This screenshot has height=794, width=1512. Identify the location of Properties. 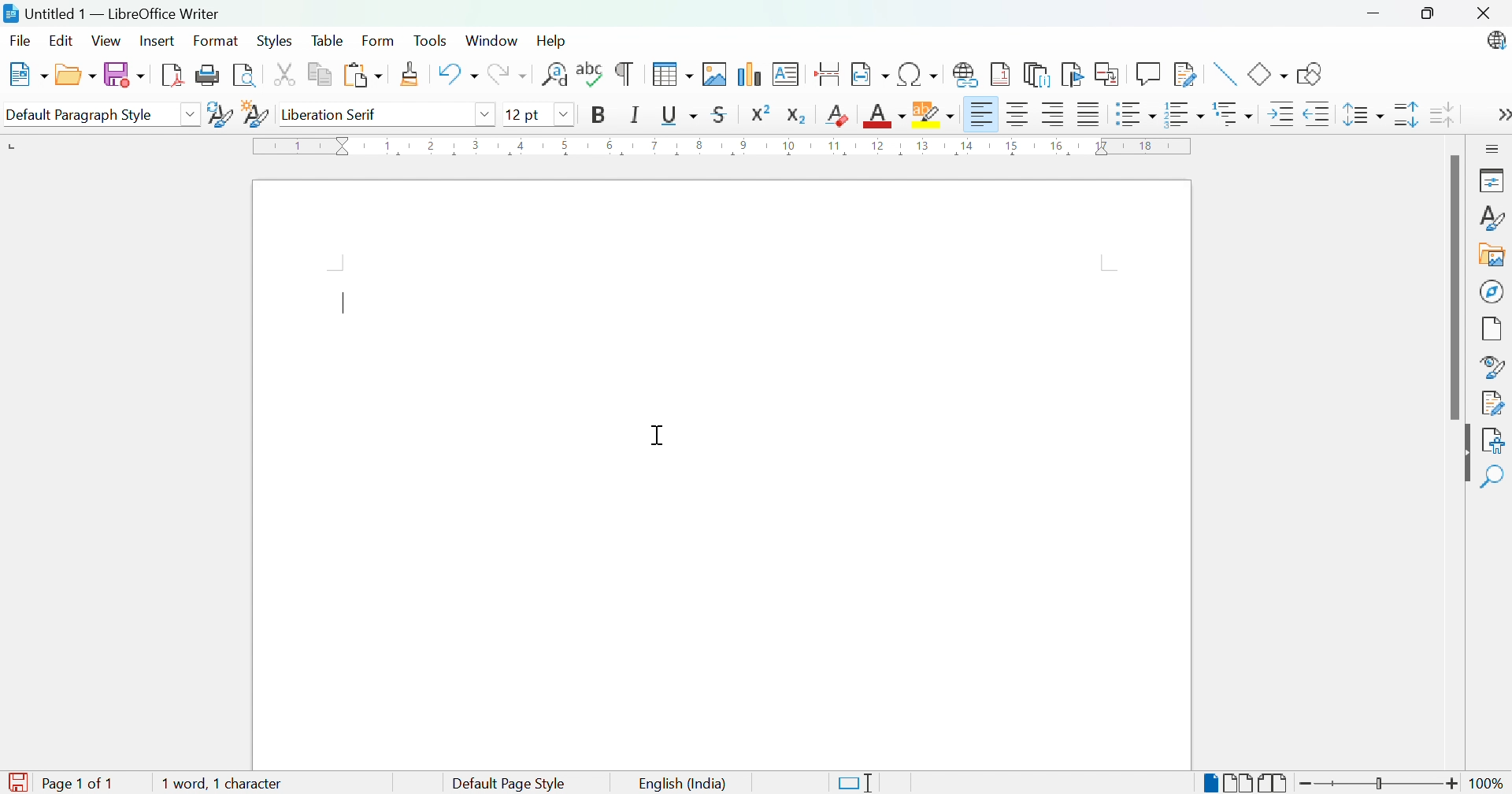
(1494, 180).